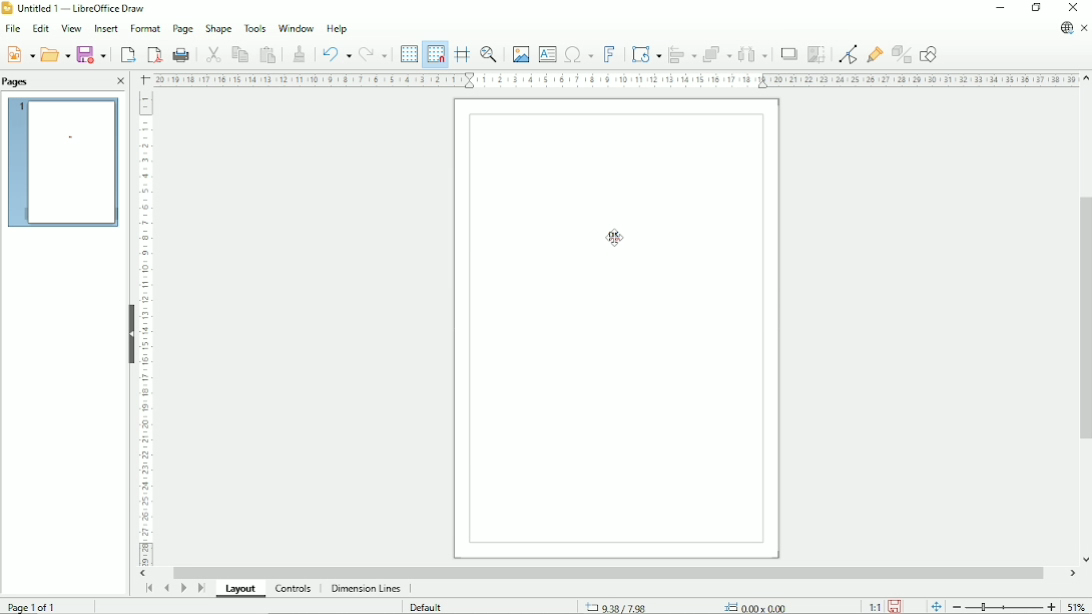  I want to click on Close document, so click(1085, 27).